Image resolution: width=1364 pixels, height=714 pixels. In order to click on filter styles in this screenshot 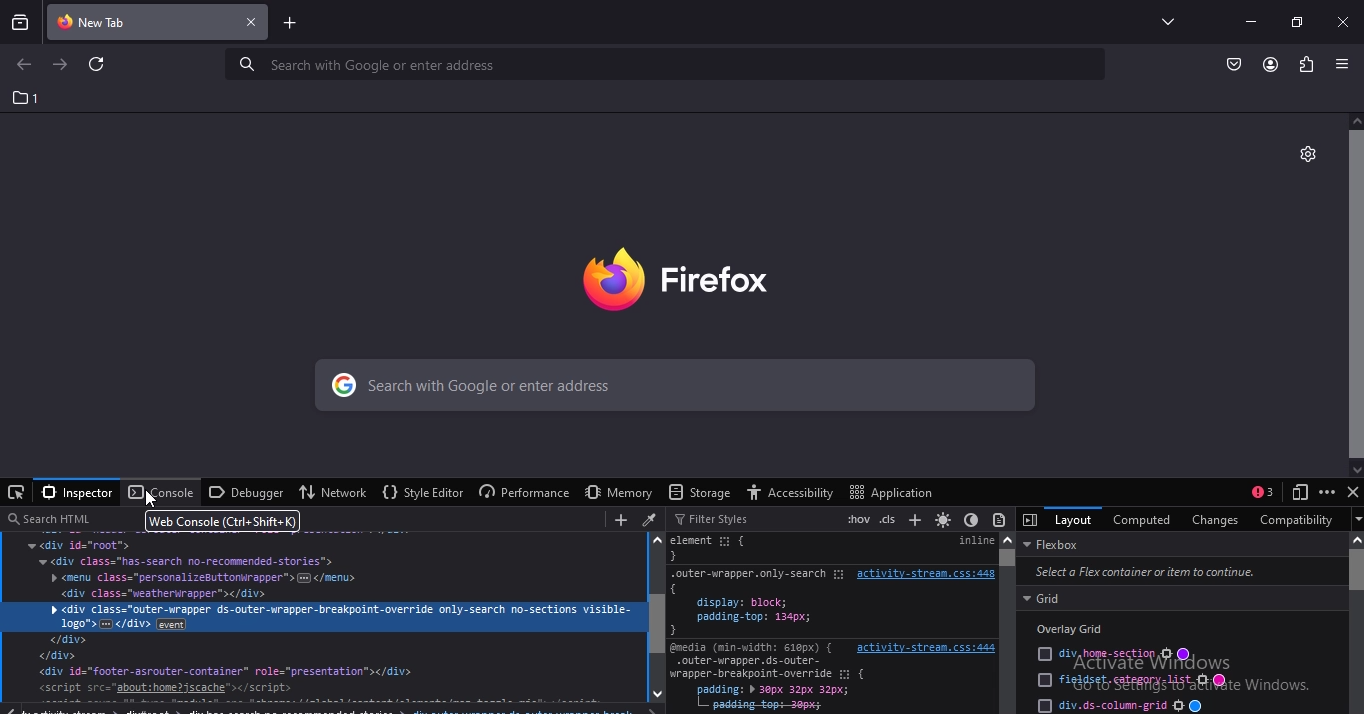, I will do `click(714, 520)`.